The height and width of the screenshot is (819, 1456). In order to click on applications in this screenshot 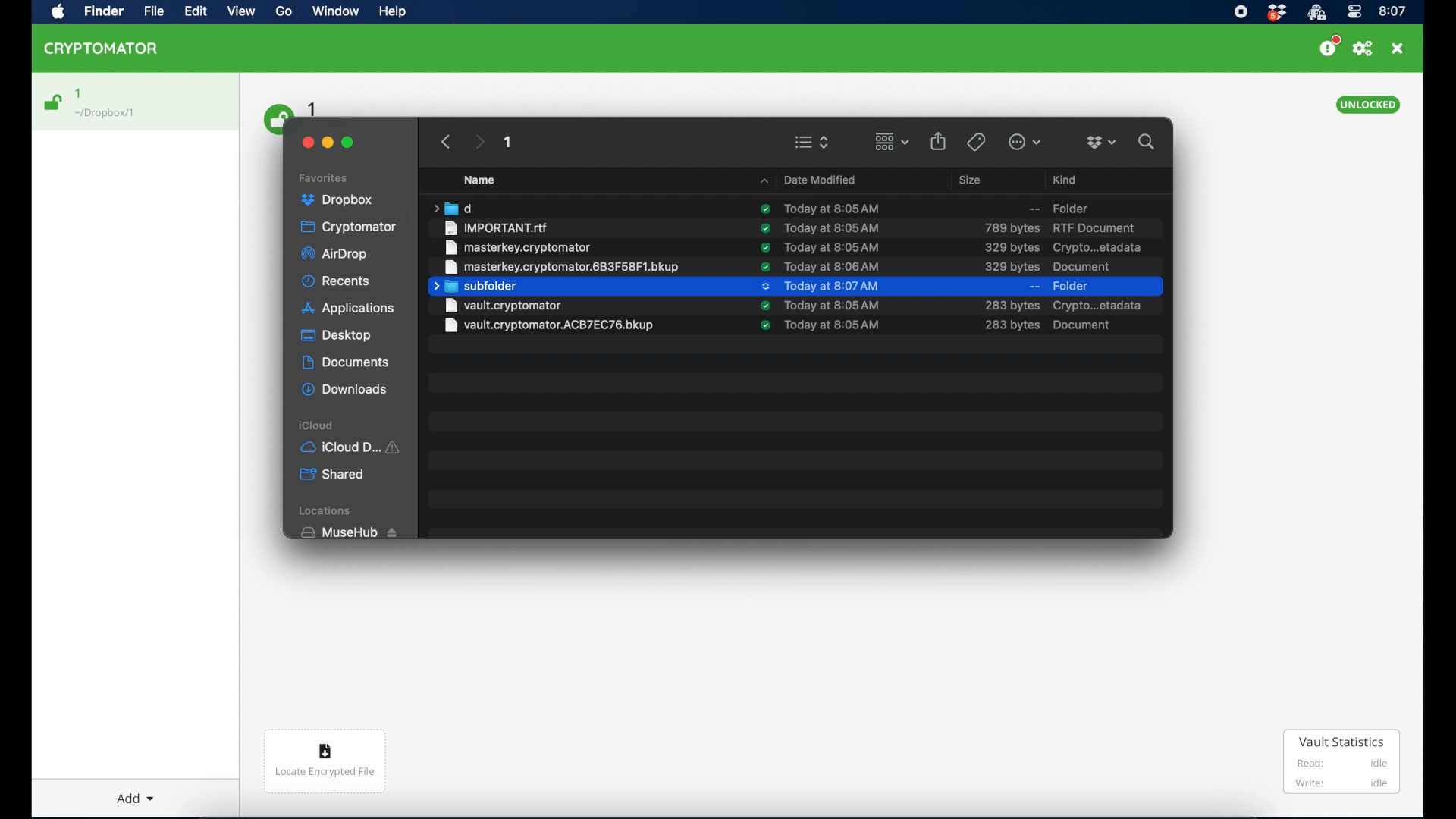, I will do `click(349, 309)`.